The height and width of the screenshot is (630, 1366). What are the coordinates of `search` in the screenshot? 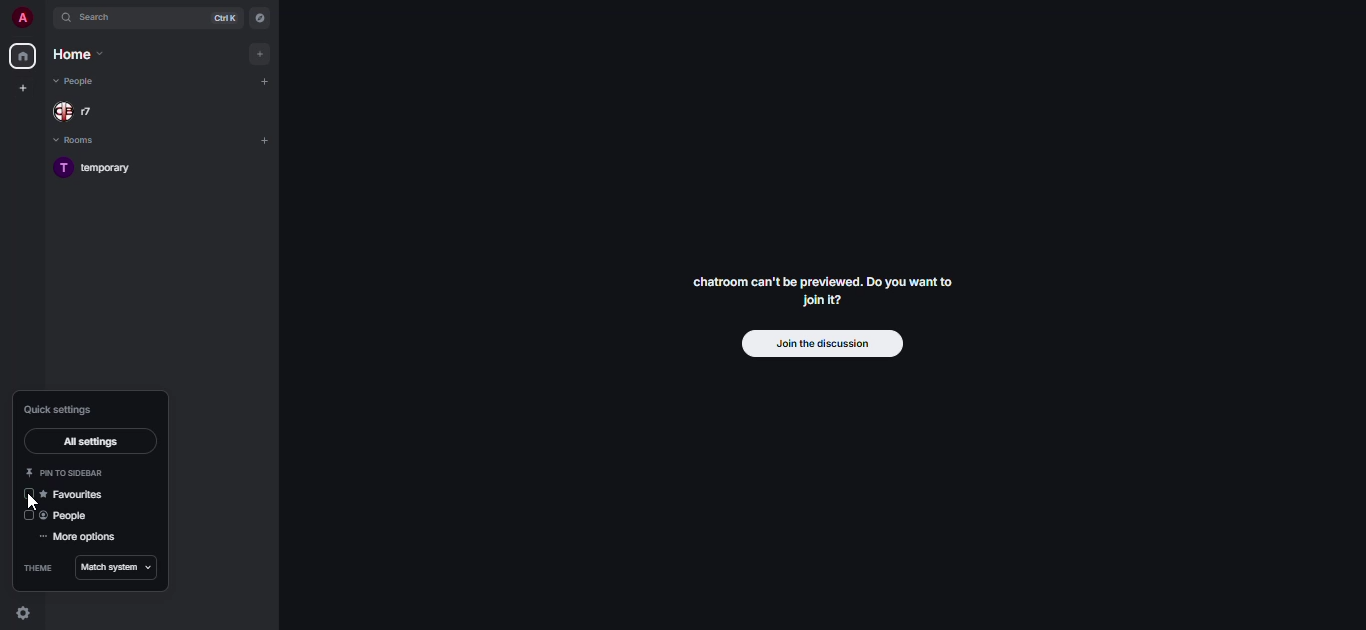 It's located at (97, 19).